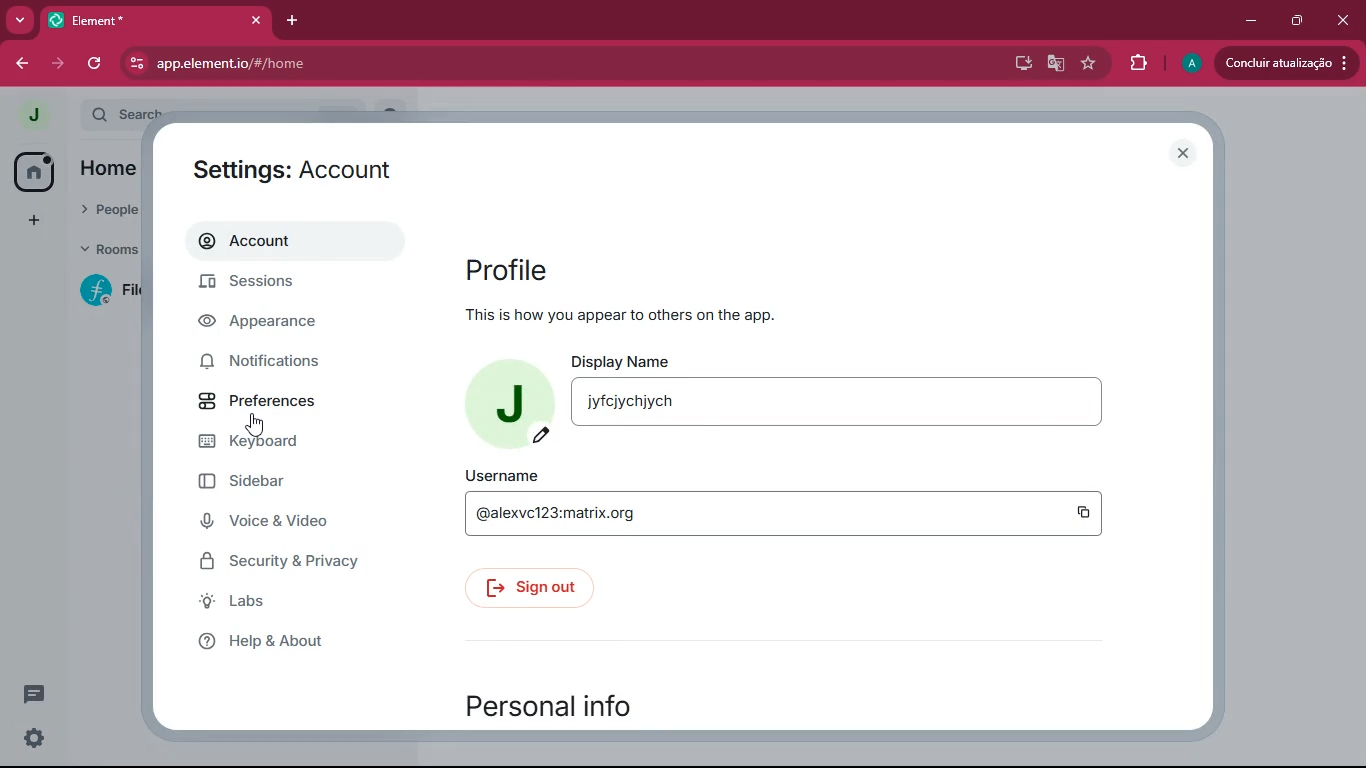 The image size is (1366, 768). I want to click on labs, so click(284, 605).